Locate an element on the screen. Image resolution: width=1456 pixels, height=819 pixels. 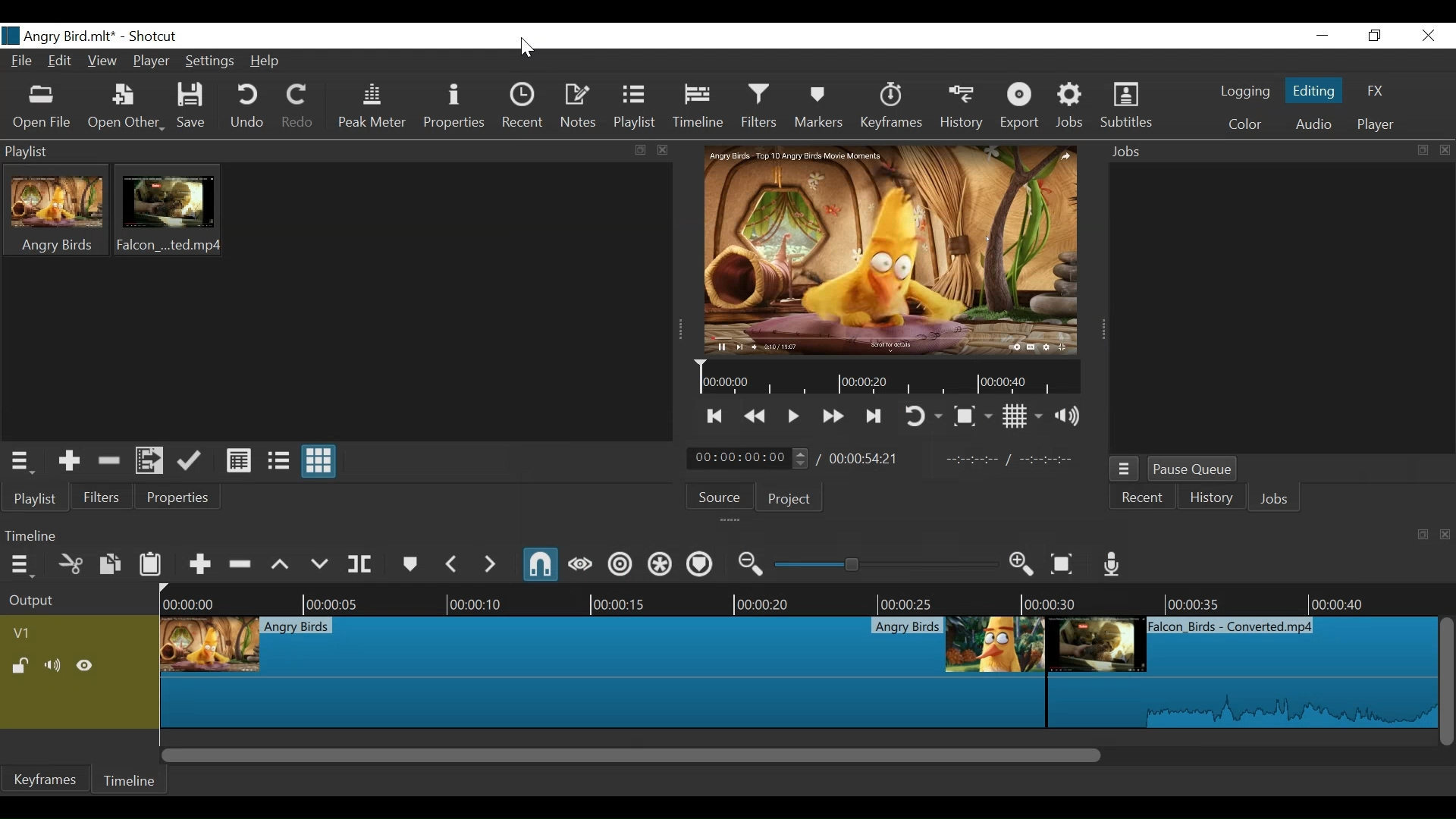
Remove cut is located at coordinates (108, 462).